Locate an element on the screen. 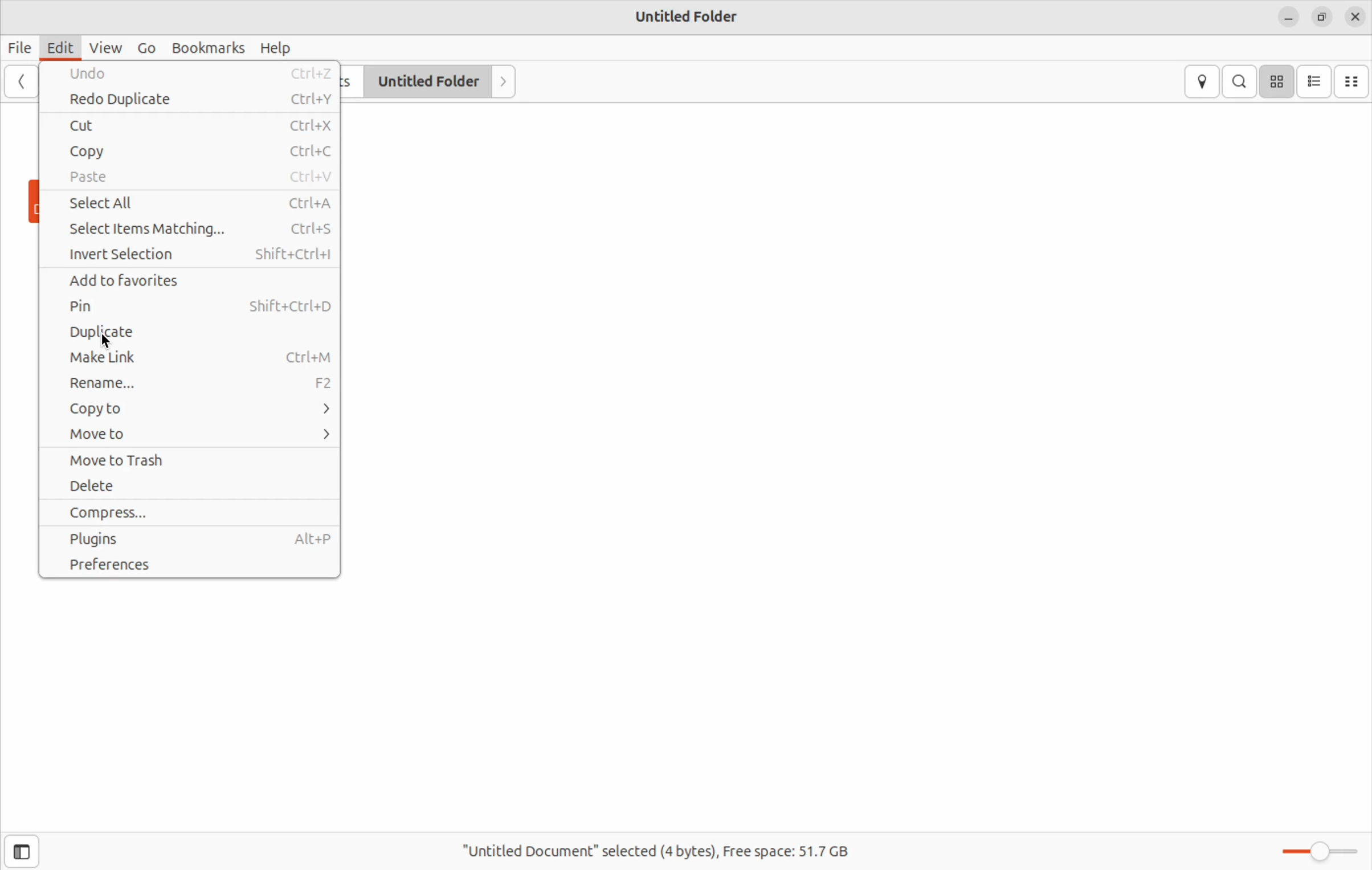  Select Items Matching... is located at coordinates (188, 230).